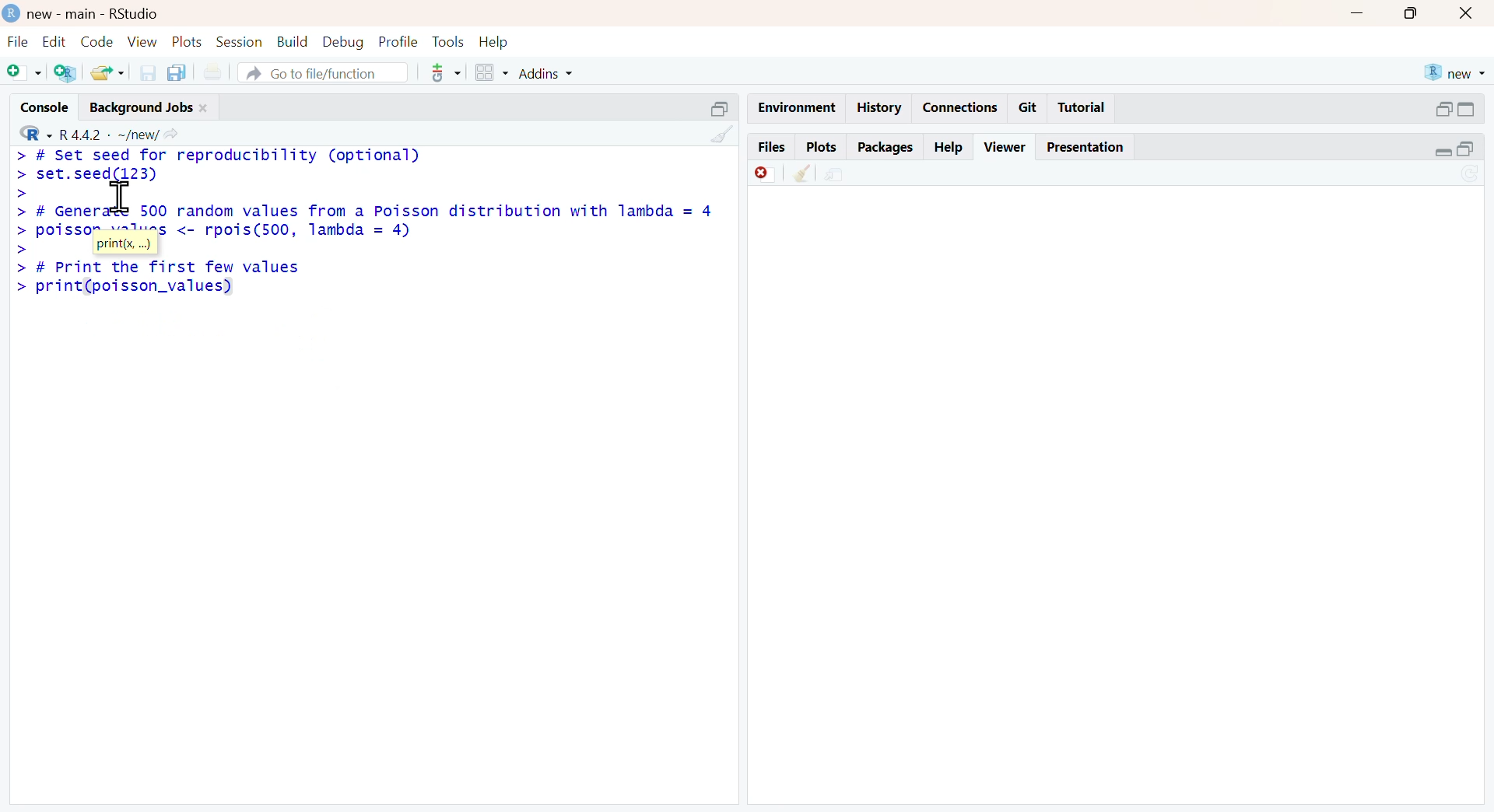  Describe the element at coordinates (177, 72) in the screenshot. I see `copy` at that location.